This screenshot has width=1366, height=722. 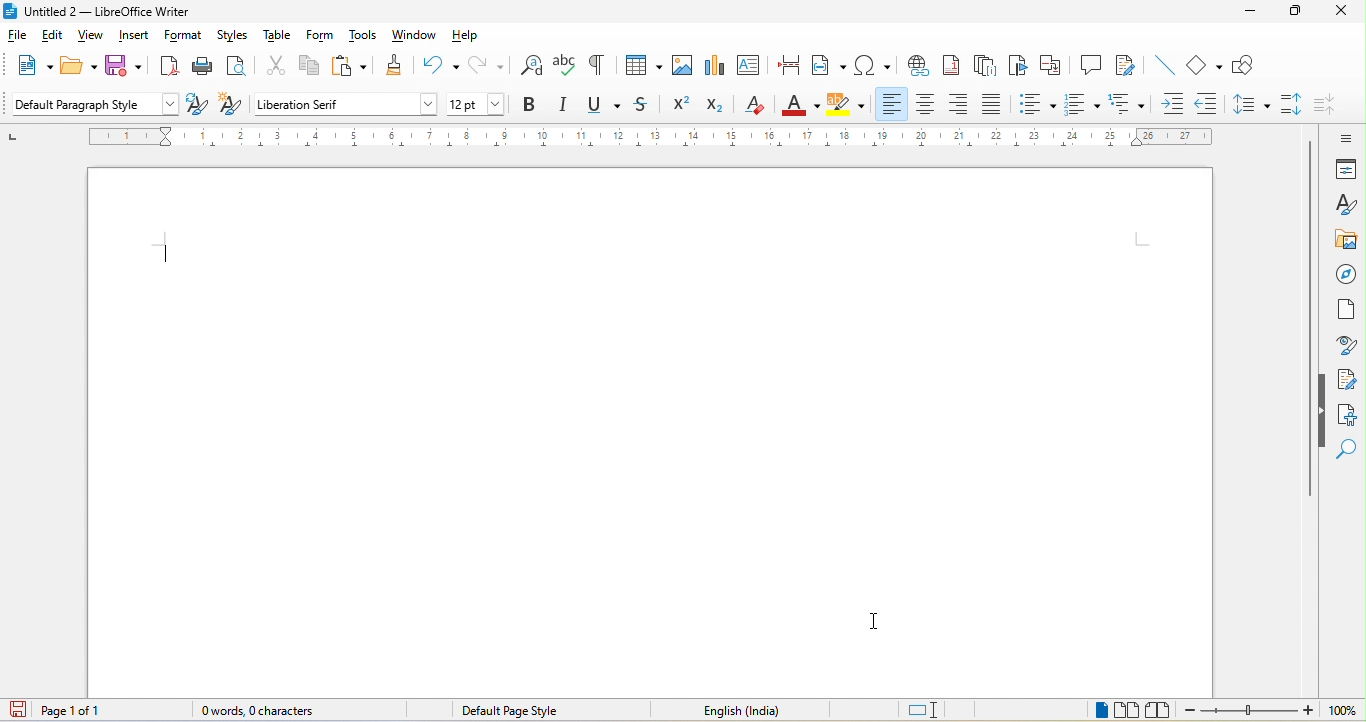 I want to click on copy, so click(x=312, y=69).